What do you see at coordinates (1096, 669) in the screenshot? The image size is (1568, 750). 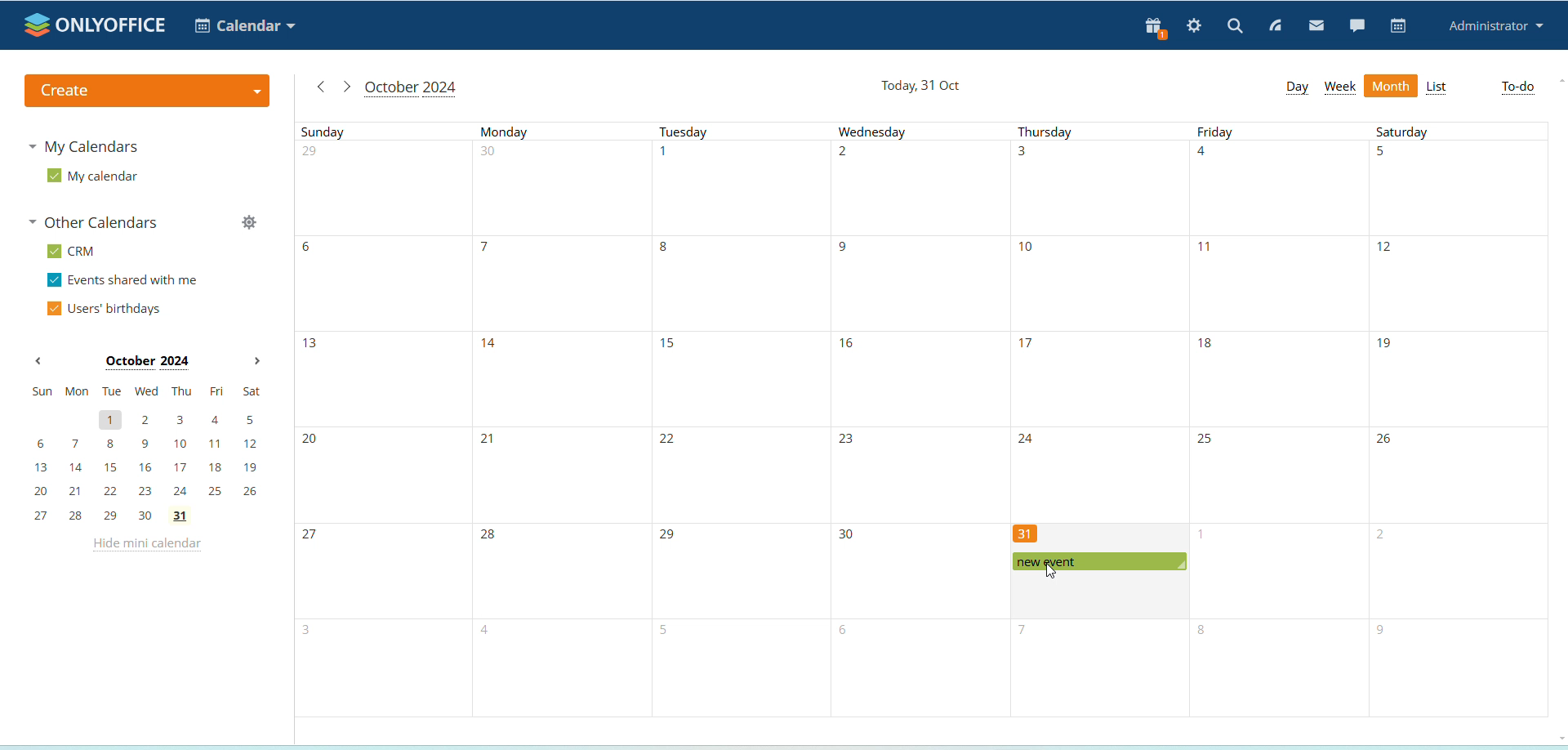 I see `Thursday 7th november` at bounding box center [1096, 669].